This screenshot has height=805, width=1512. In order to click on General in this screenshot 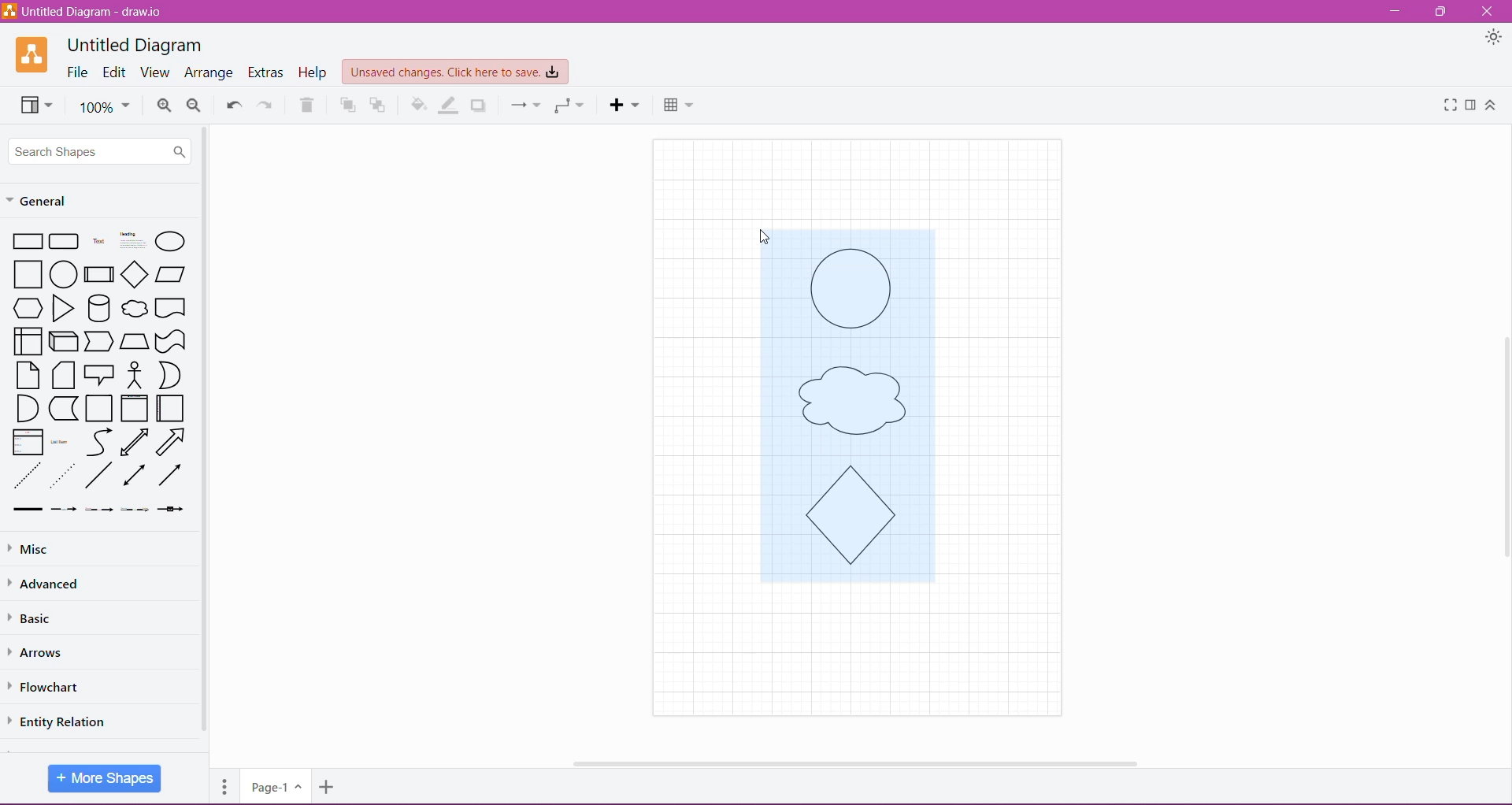, I will do `click(47, 199)`.